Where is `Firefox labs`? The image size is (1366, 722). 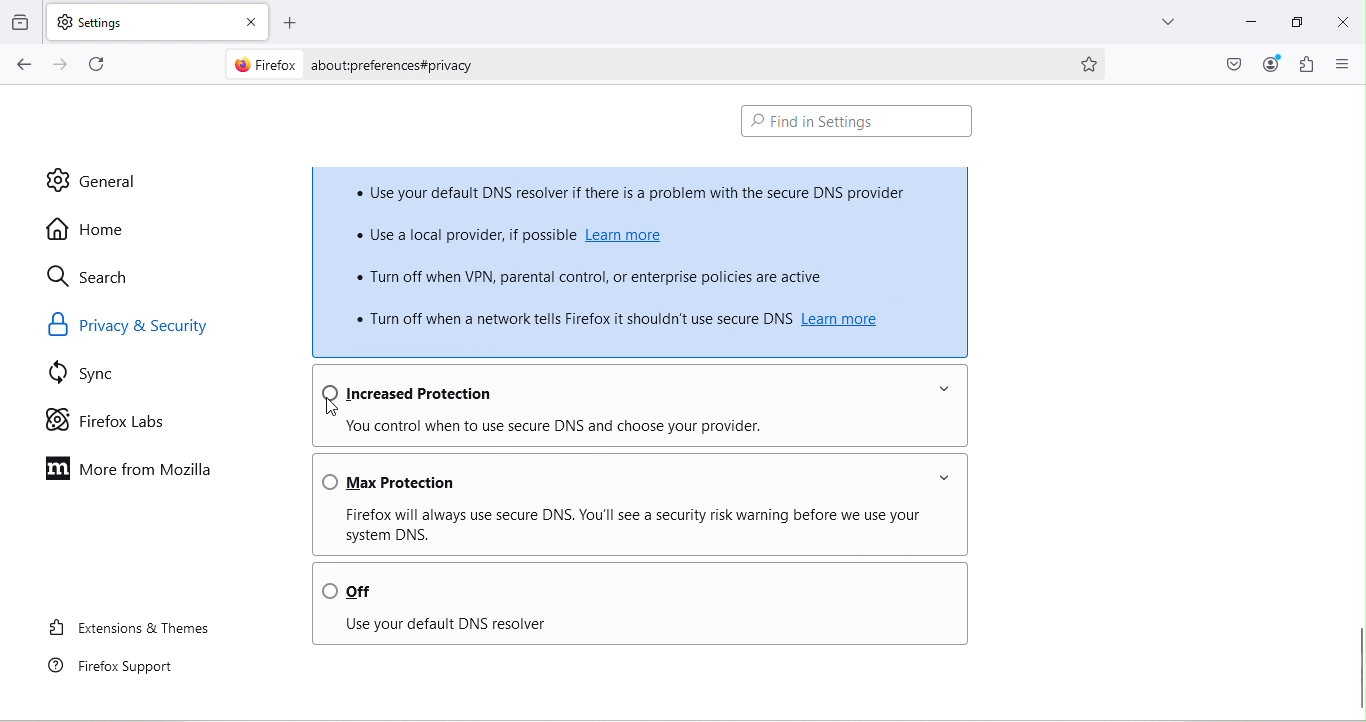
Firefox labs is located at coordinates (107, 420).